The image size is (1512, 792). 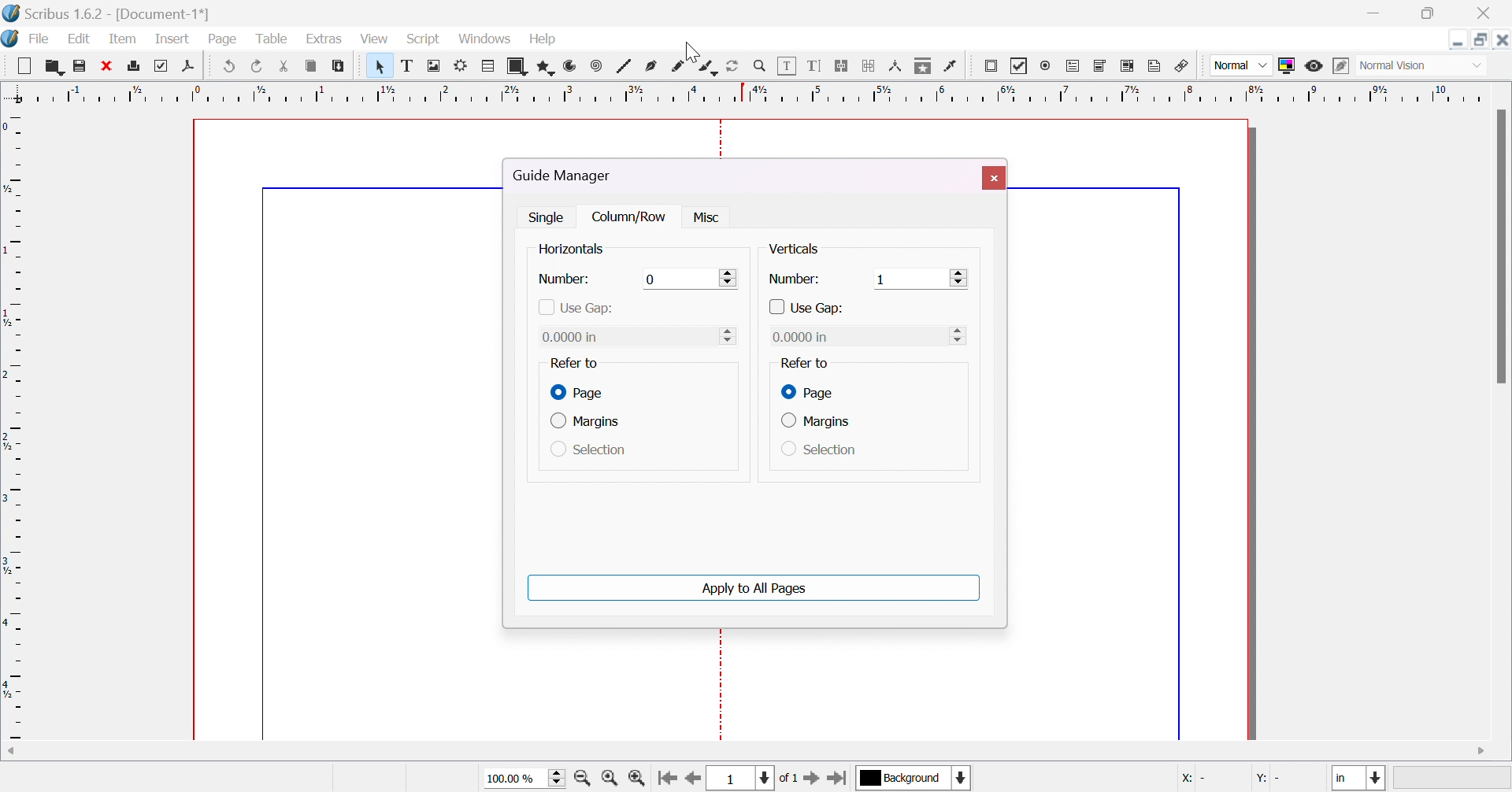 What do you see at coordinates (28, 65) in the screenshot?
I see `` at bounding box center [28, 65].